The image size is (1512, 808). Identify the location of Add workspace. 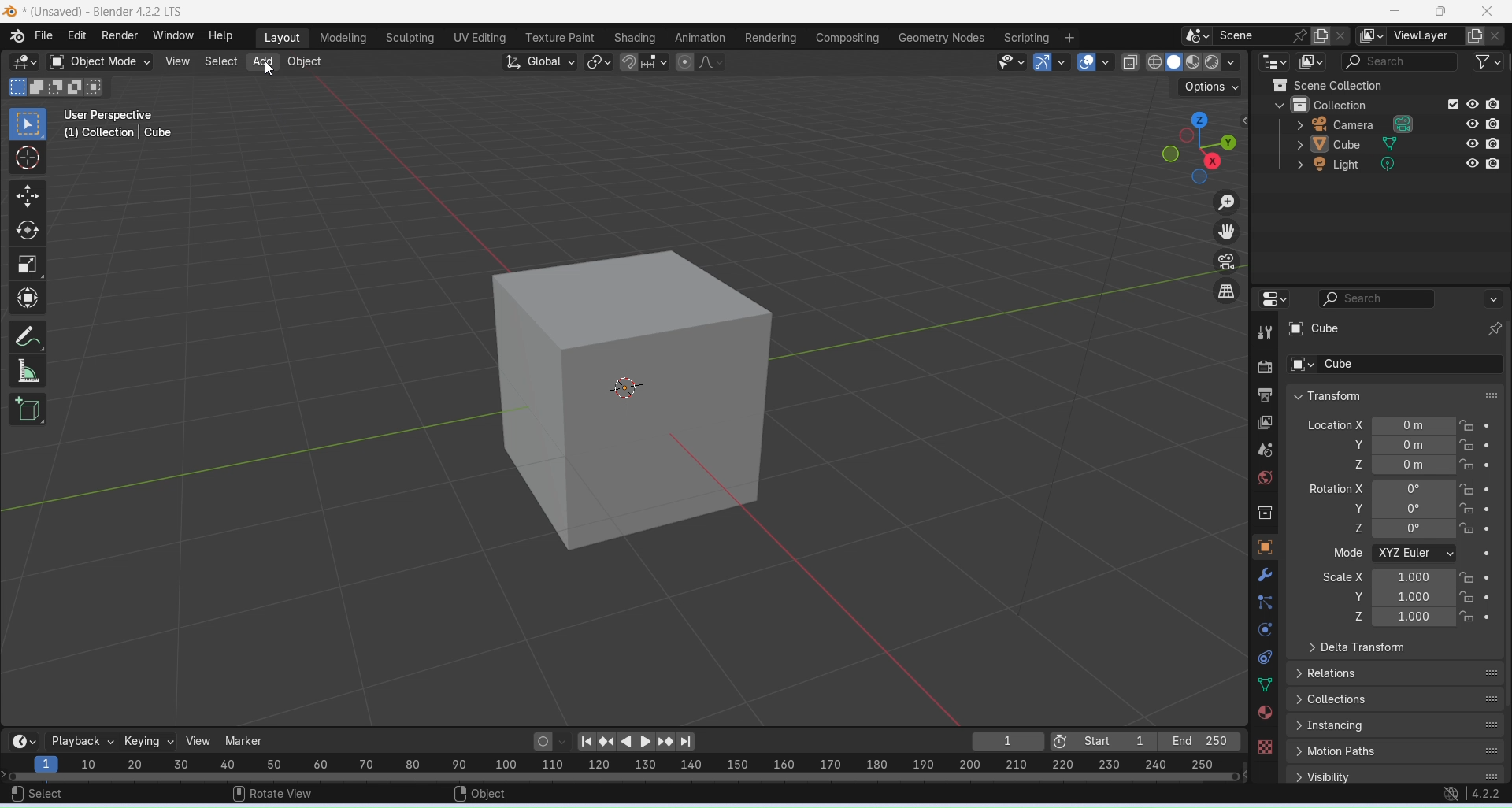
(1069, 39).